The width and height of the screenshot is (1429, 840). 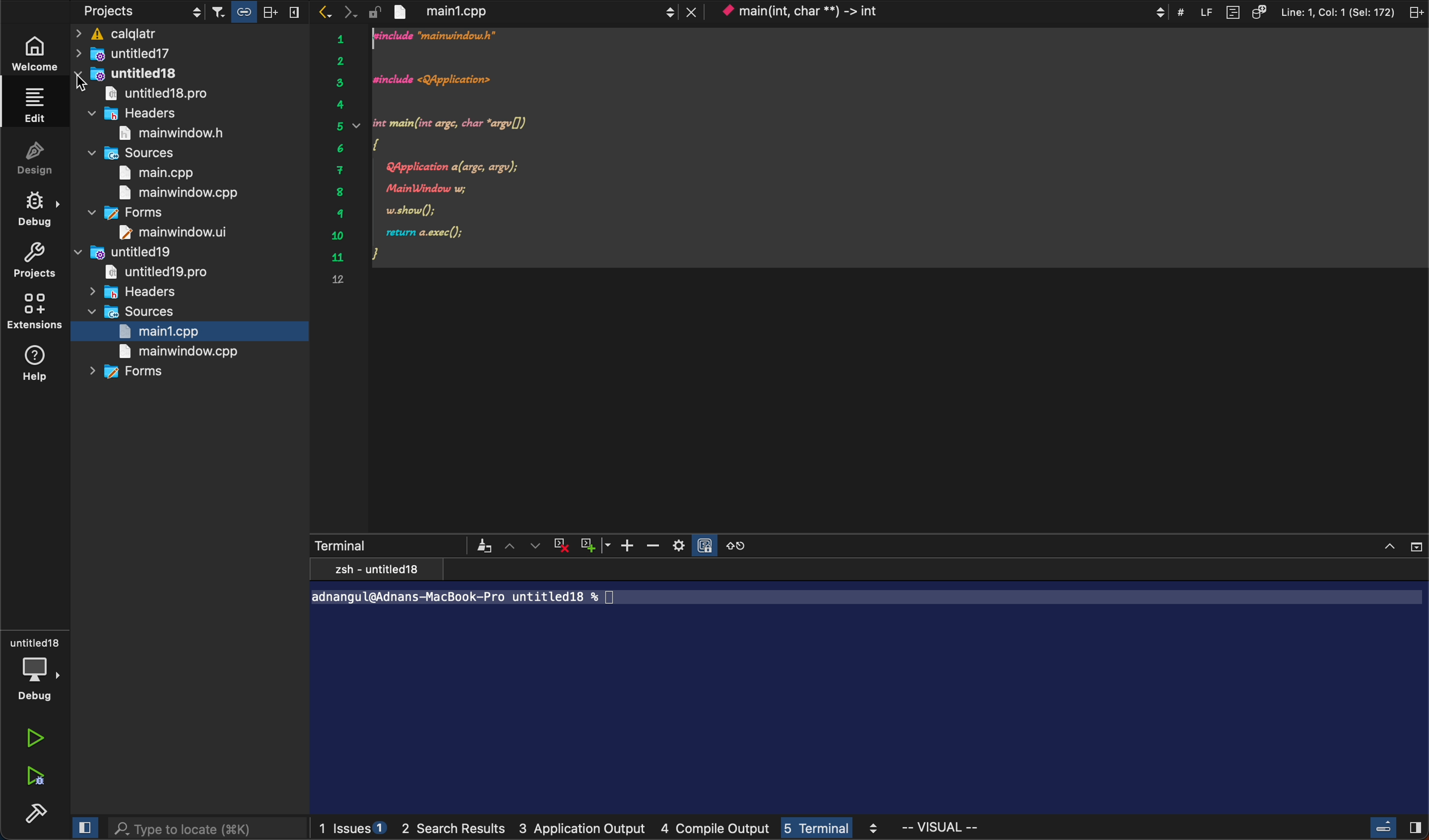 I want to click on cross, so click(x=560, y=545).